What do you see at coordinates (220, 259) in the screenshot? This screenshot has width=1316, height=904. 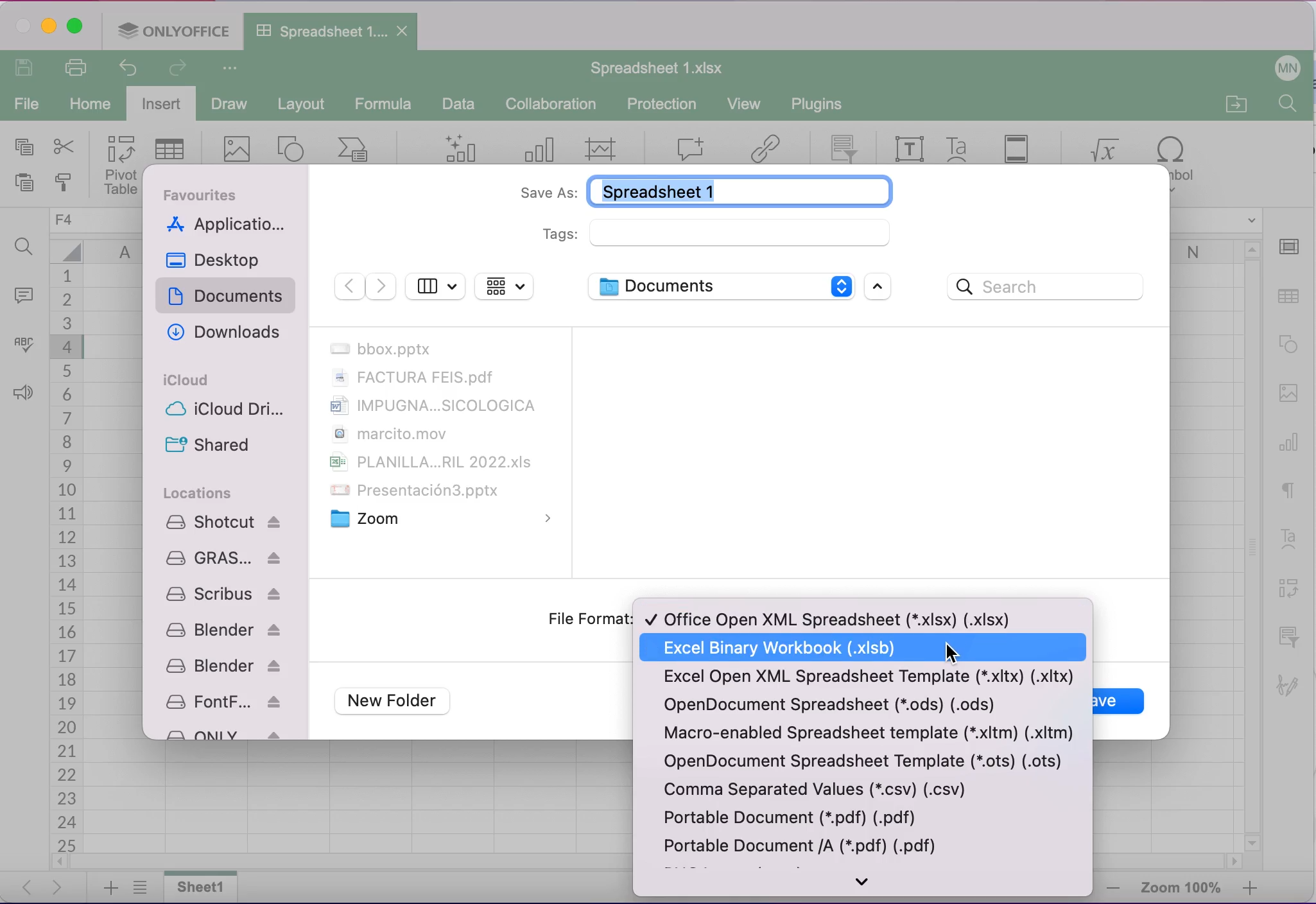 I see `desktop` at bounding box center [220, 259].